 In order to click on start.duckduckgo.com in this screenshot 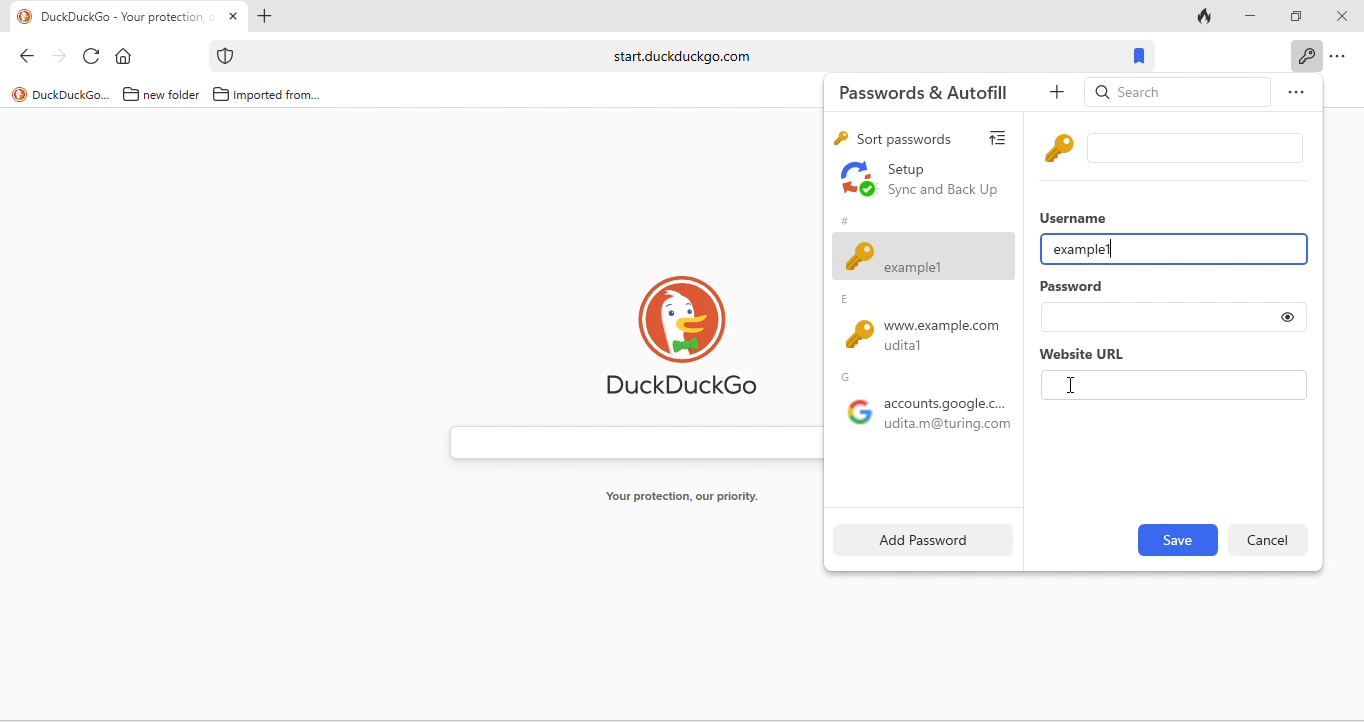, I will do `click(680, 56)`.